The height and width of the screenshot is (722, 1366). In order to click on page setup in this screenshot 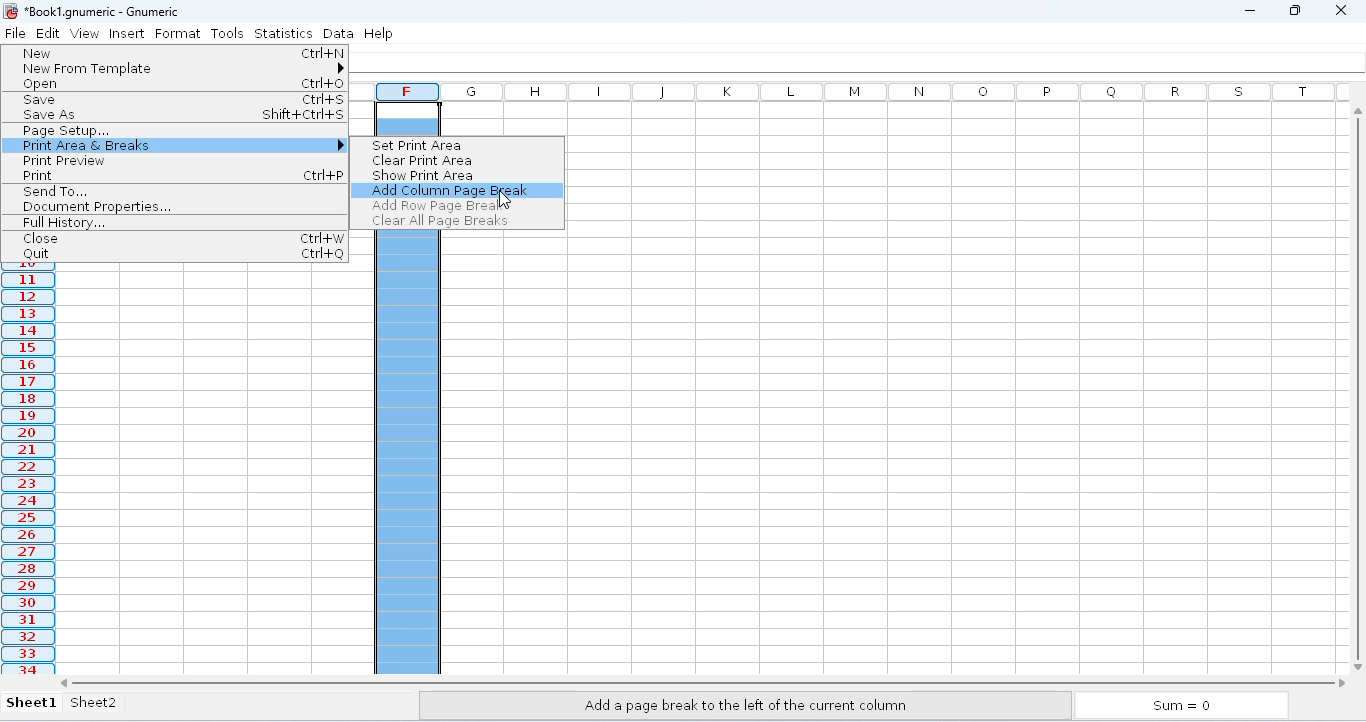, I will do `click(64, 131)`.